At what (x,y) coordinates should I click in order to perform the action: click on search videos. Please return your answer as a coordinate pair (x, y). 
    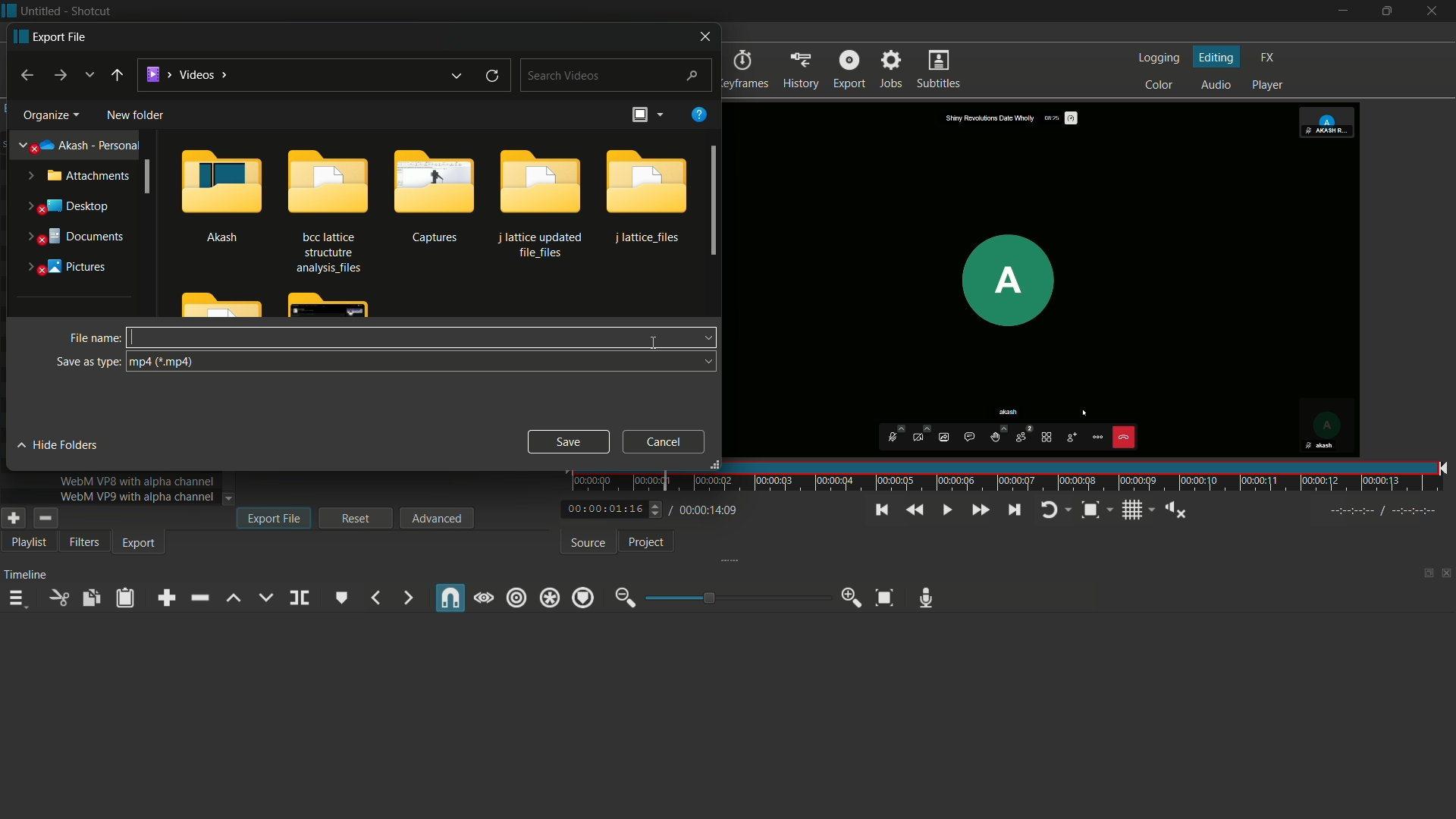
    Looking at the image, I should click on (618, 75).